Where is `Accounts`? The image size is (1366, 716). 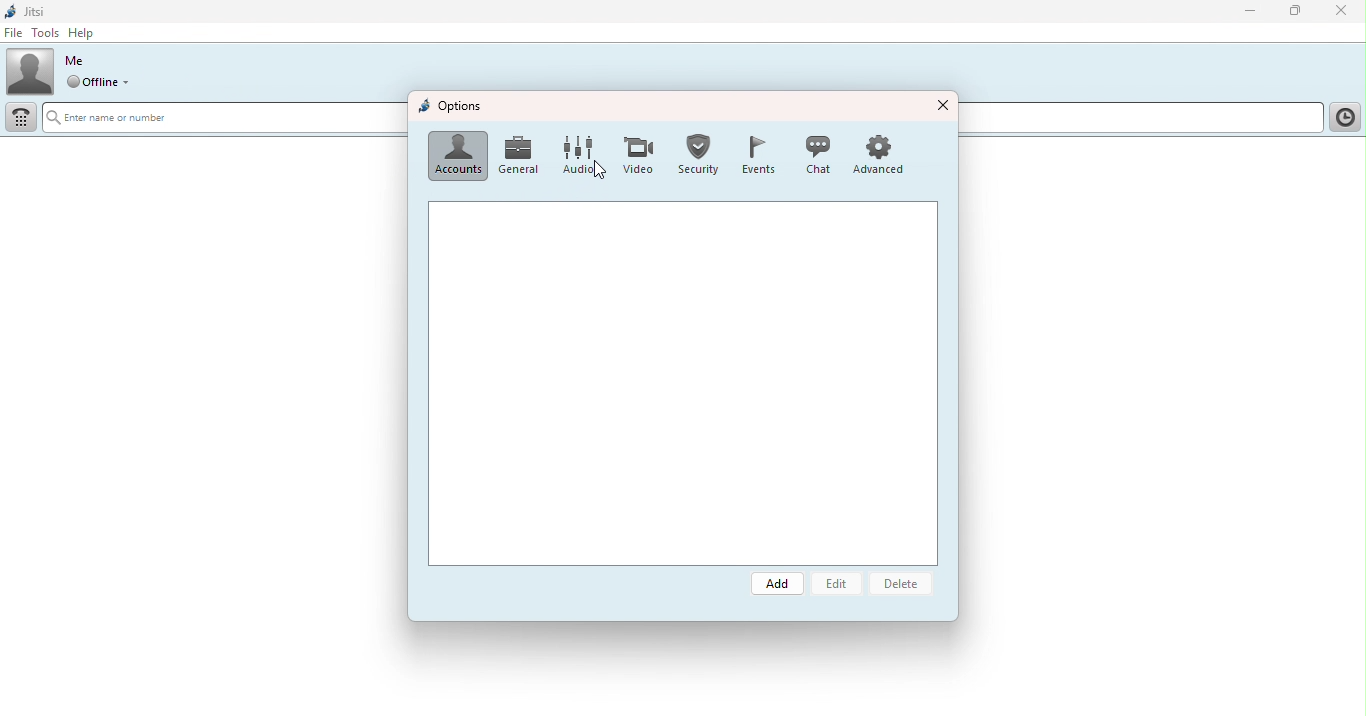 Accounts is located at coordinates (457, 156).